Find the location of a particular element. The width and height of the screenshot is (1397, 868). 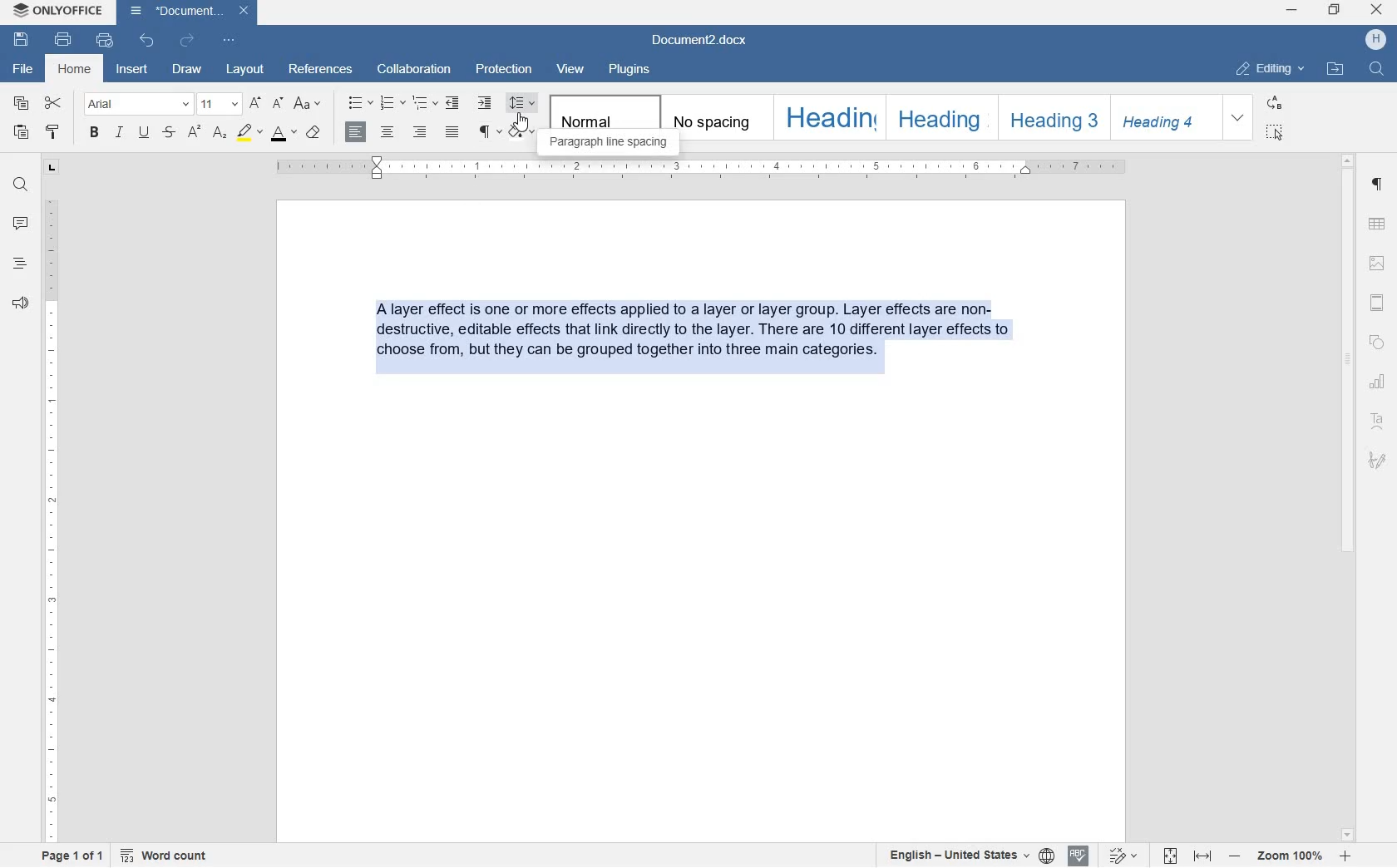

comment is located at coordinates (22, 223).